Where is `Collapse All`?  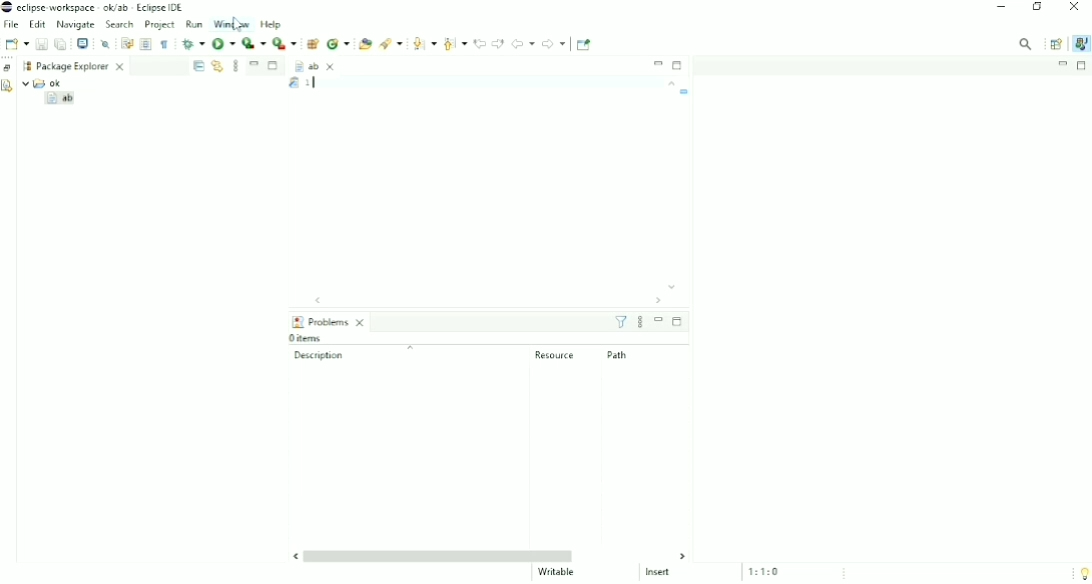
Collapse All is located at coordinates (198, 66).